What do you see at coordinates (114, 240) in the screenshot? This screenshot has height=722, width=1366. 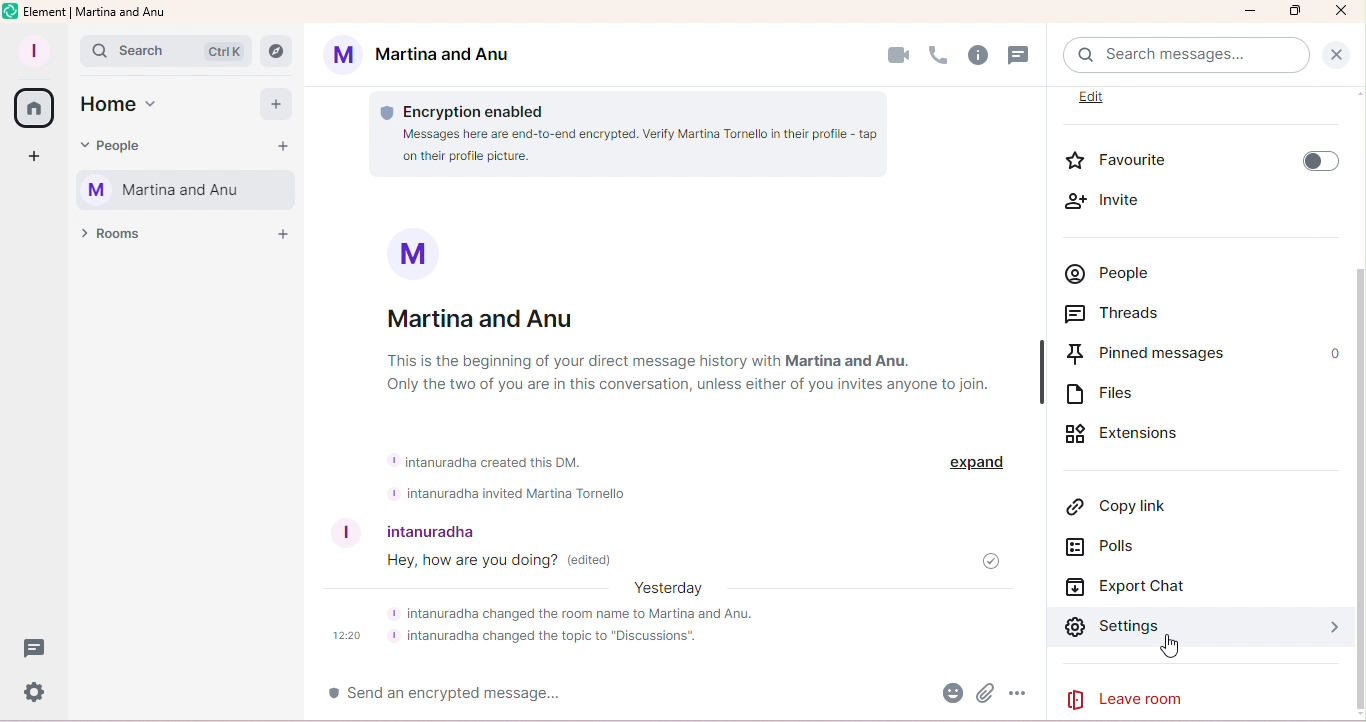 I see `Rooms` at bounding box center [114, 240].